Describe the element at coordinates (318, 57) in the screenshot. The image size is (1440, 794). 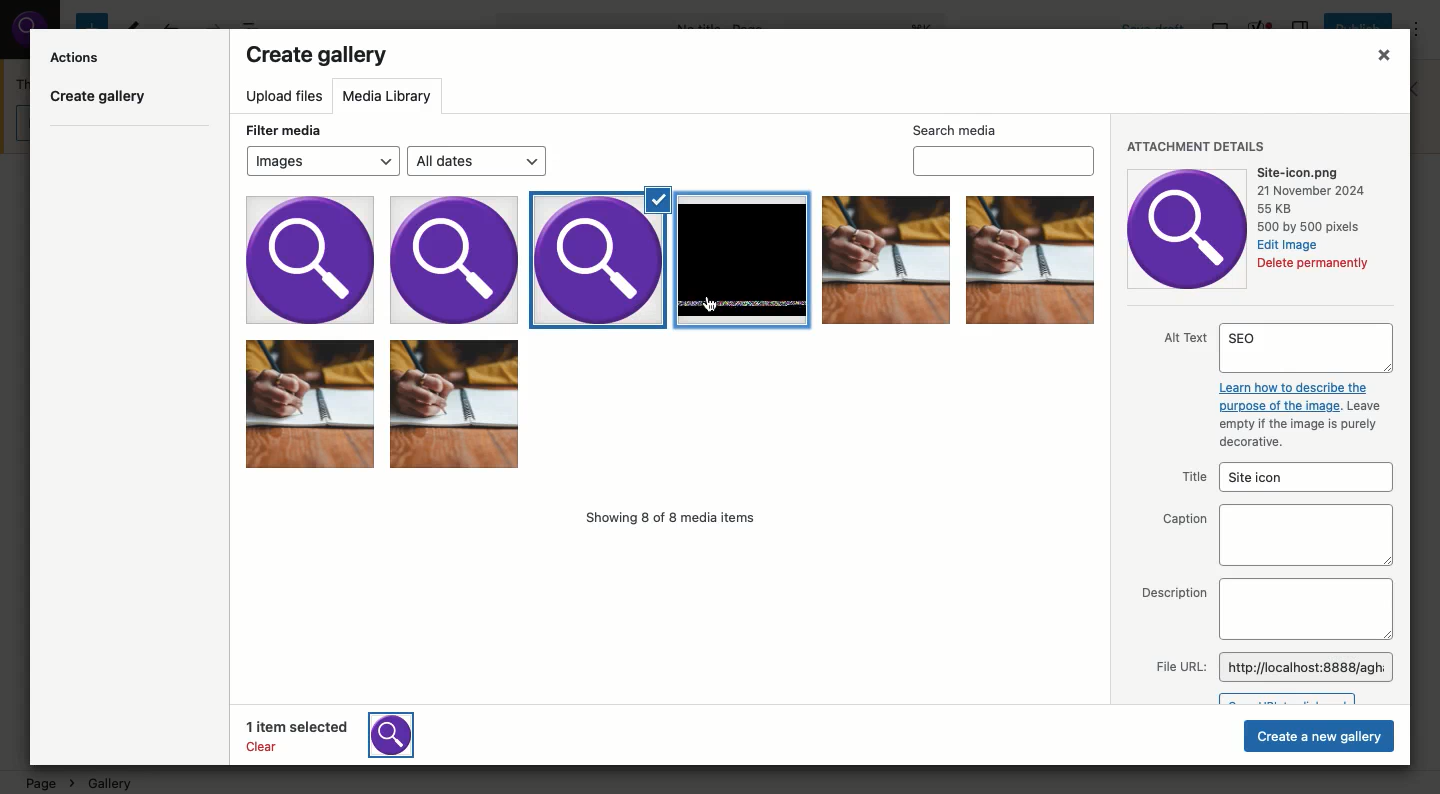
I see `Create gallery` at that location.